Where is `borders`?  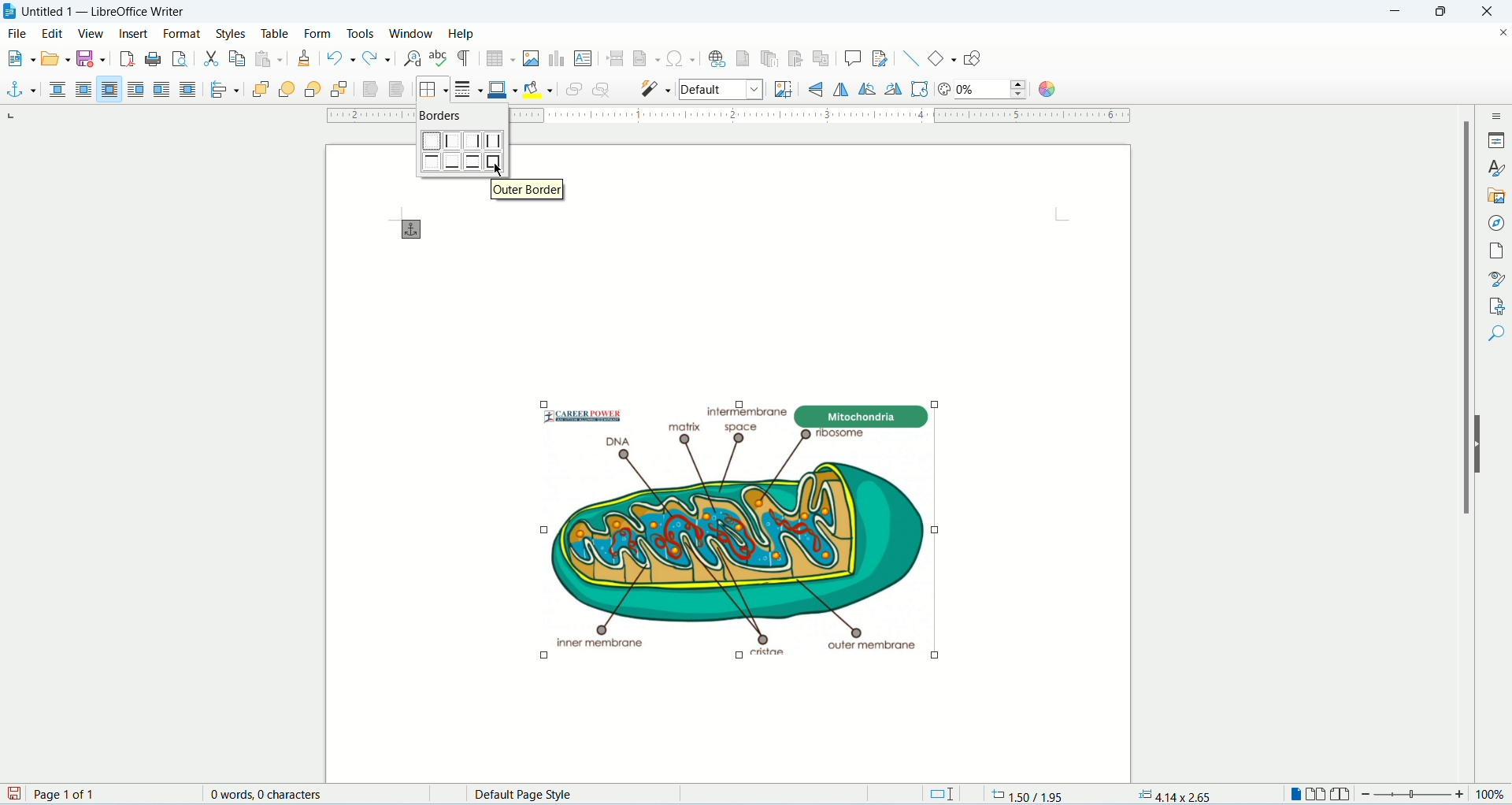 borders is located at coordinates (440, 114).